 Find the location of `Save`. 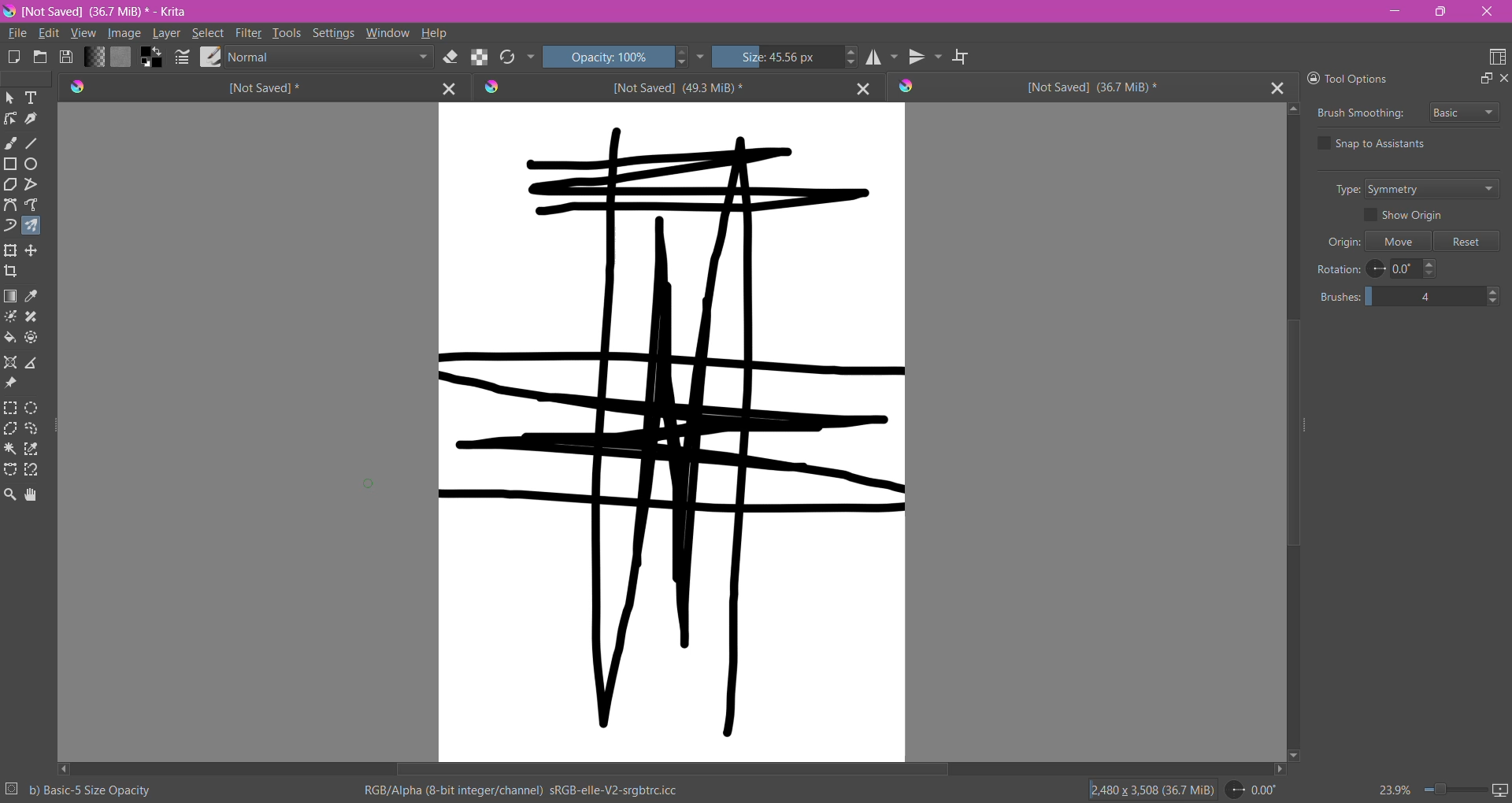

Save is located at coordinates (67, 58).